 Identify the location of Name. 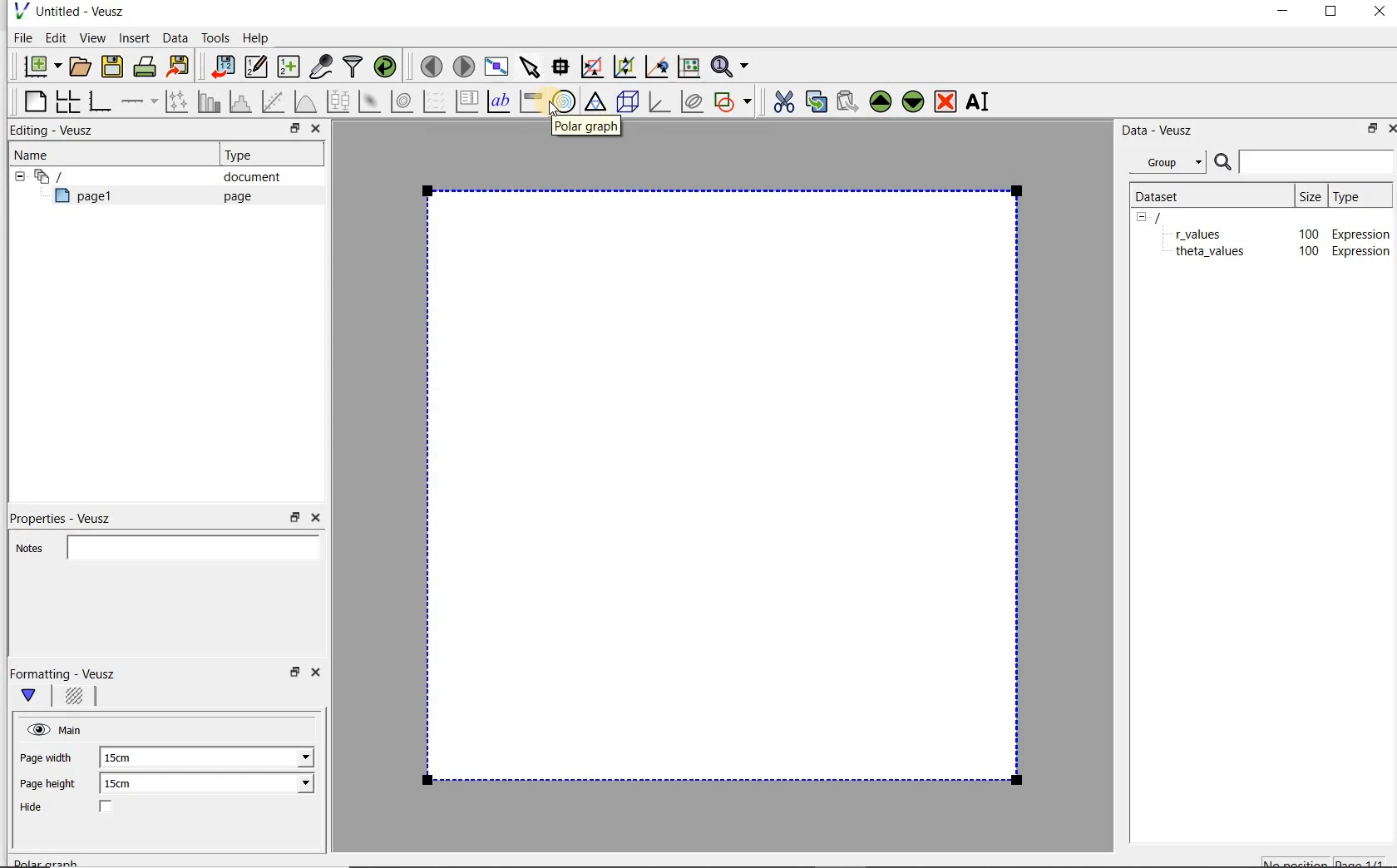
(37, 154).